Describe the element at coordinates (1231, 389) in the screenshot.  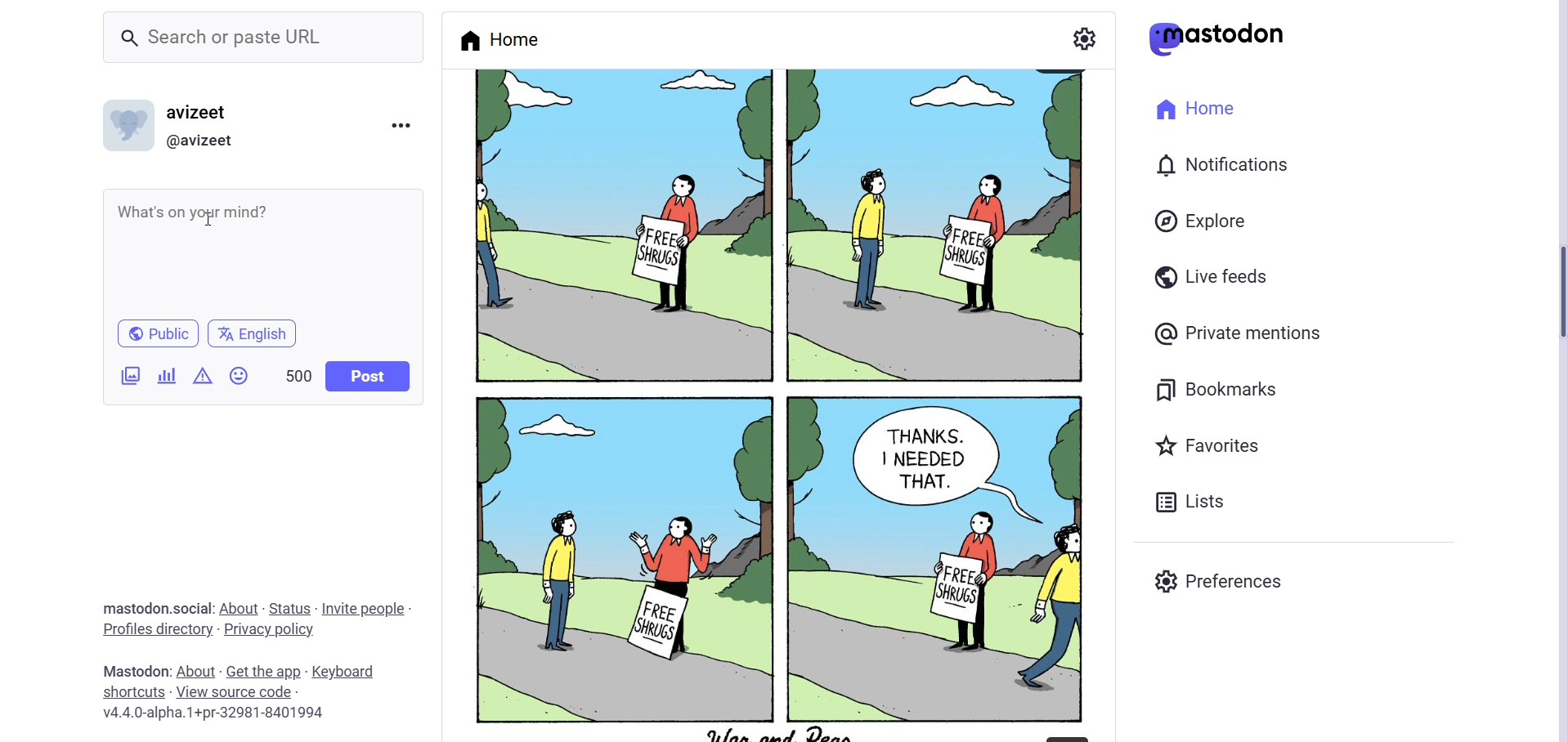
I see `Bookmarks` at that location.